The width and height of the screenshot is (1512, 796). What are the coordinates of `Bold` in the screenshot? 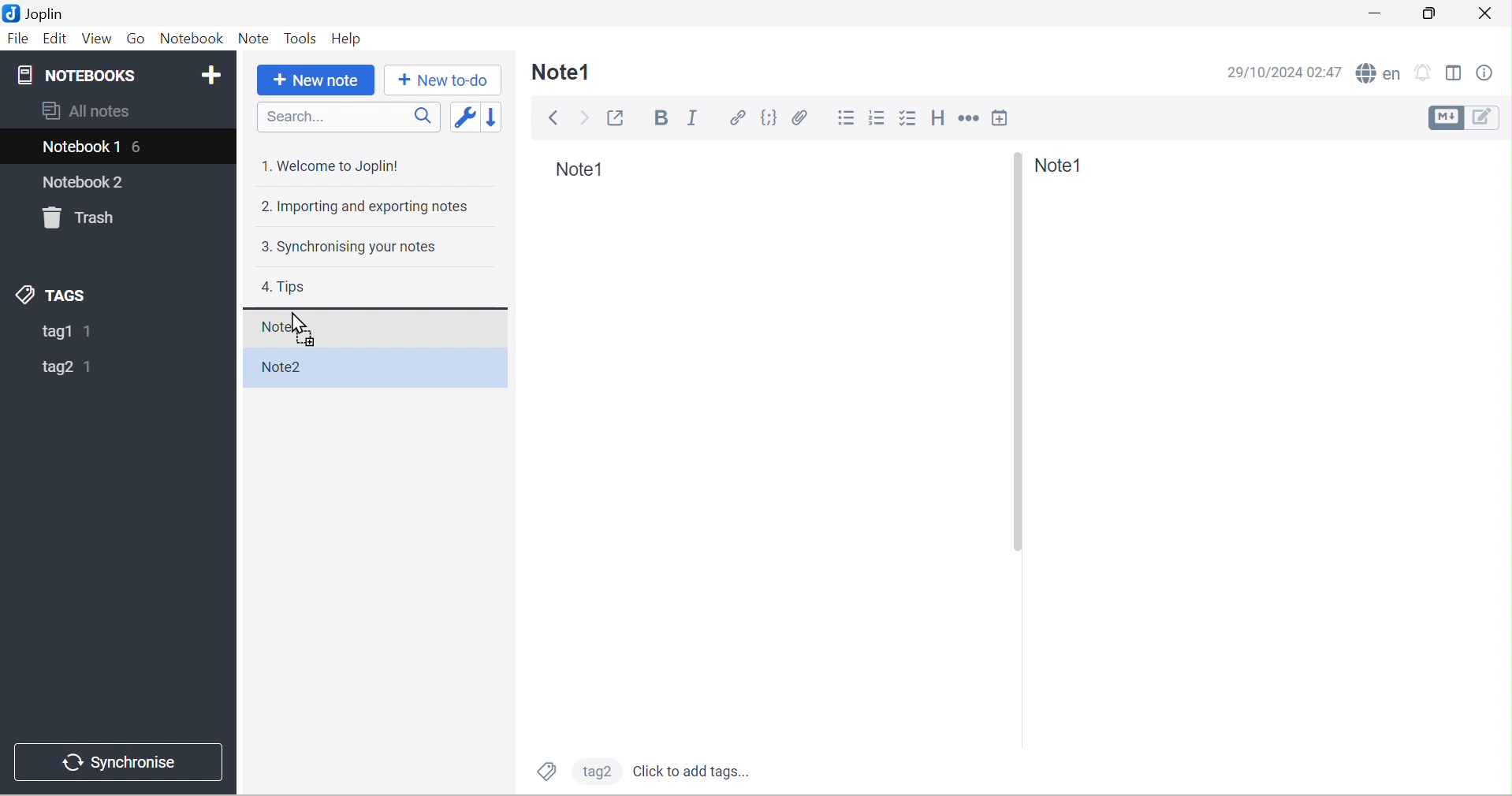 It's located at (659, 119).